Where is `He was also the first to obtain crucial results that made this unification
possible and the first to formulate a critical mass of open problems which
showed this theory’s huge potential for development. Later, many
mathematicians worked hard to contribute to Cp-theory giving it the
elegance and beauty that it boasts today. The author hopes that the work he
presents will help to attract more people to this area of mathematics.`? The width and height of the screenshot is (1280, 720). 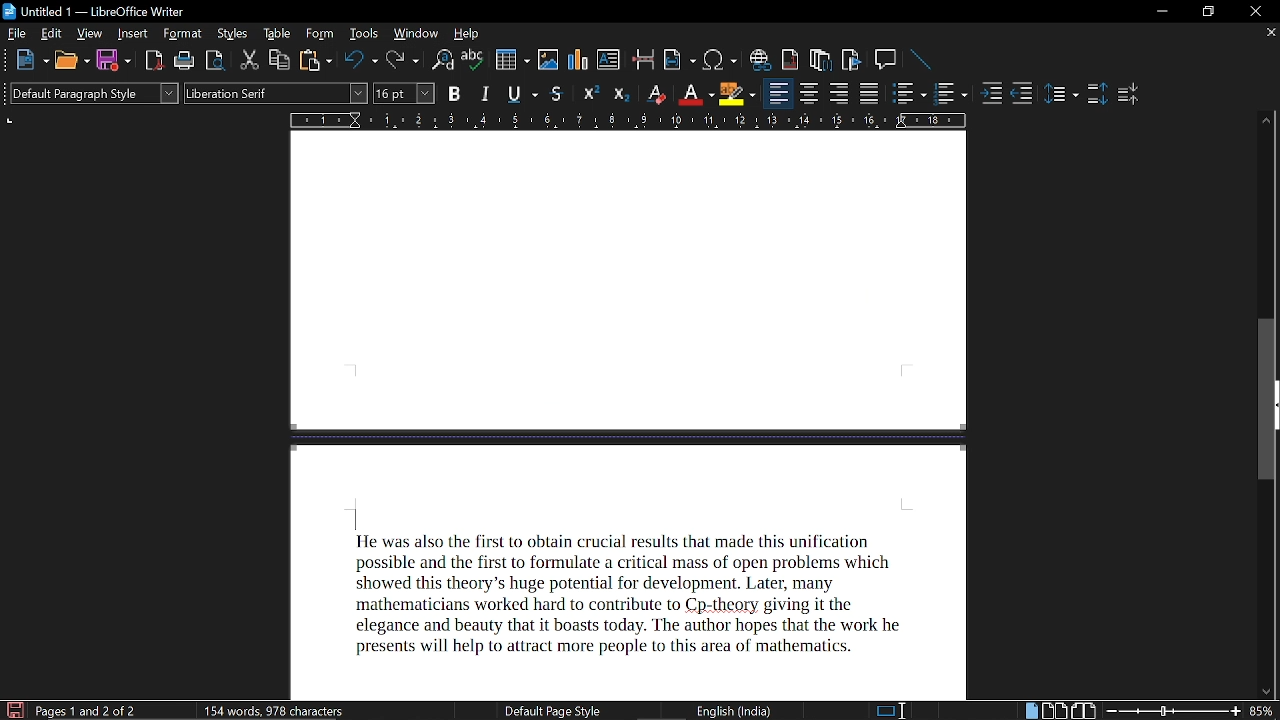 He was also the first to obtain crucial results that made this unification
possible and the first to formulate a critical mass of open problems which
showed this theory’s huge potential for development. Later, many
mathematicians worked hard to contribute to Cp-theory giving it the
elegance and beauty that it boasts today. The author hopes that the work he
presents will help to attract more people to this area of mathematics. is located at coordinates (630, 598).